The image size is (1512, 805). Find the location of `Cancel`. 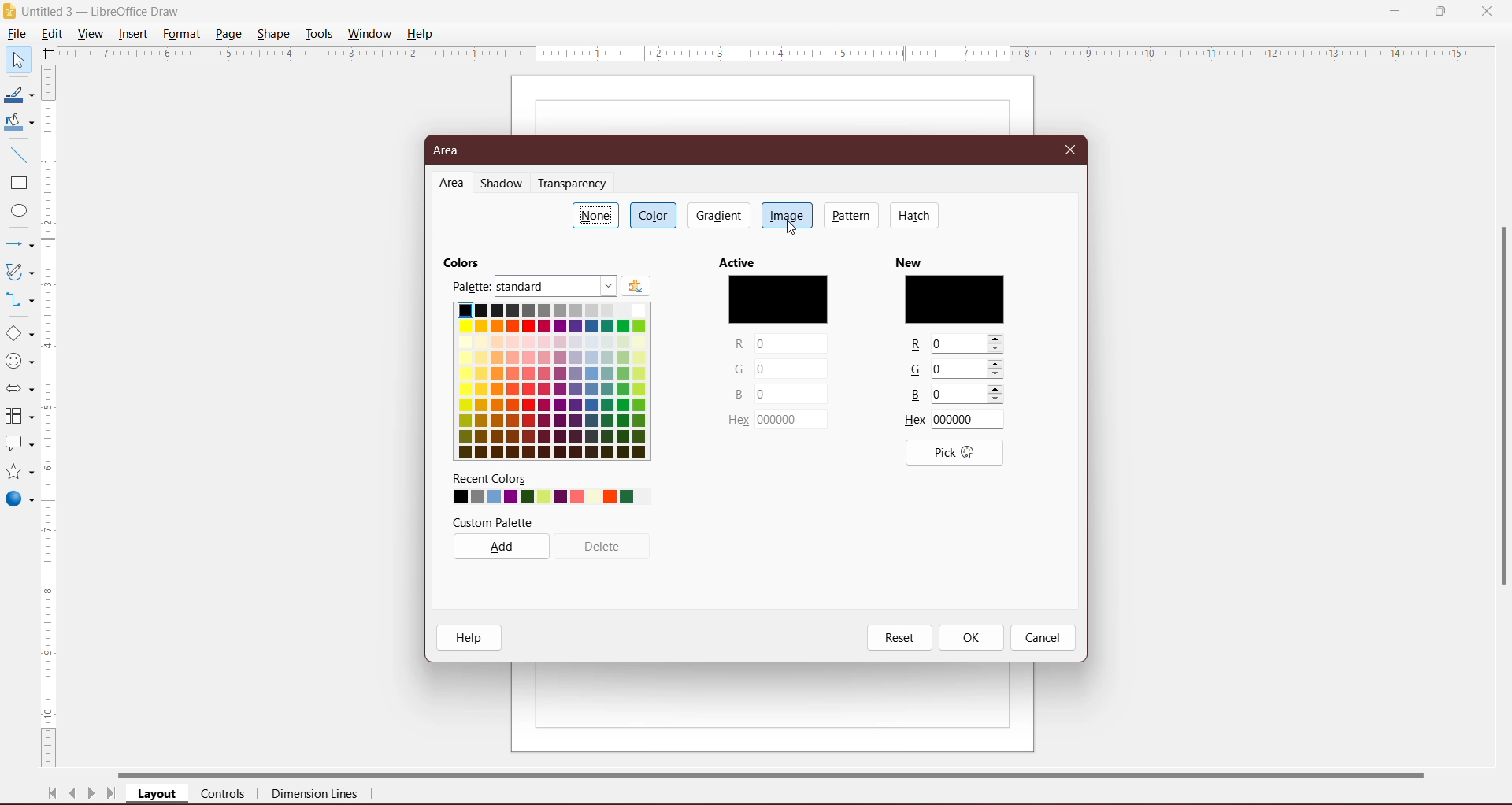

Cancel is located at coordinates (1043, 639).